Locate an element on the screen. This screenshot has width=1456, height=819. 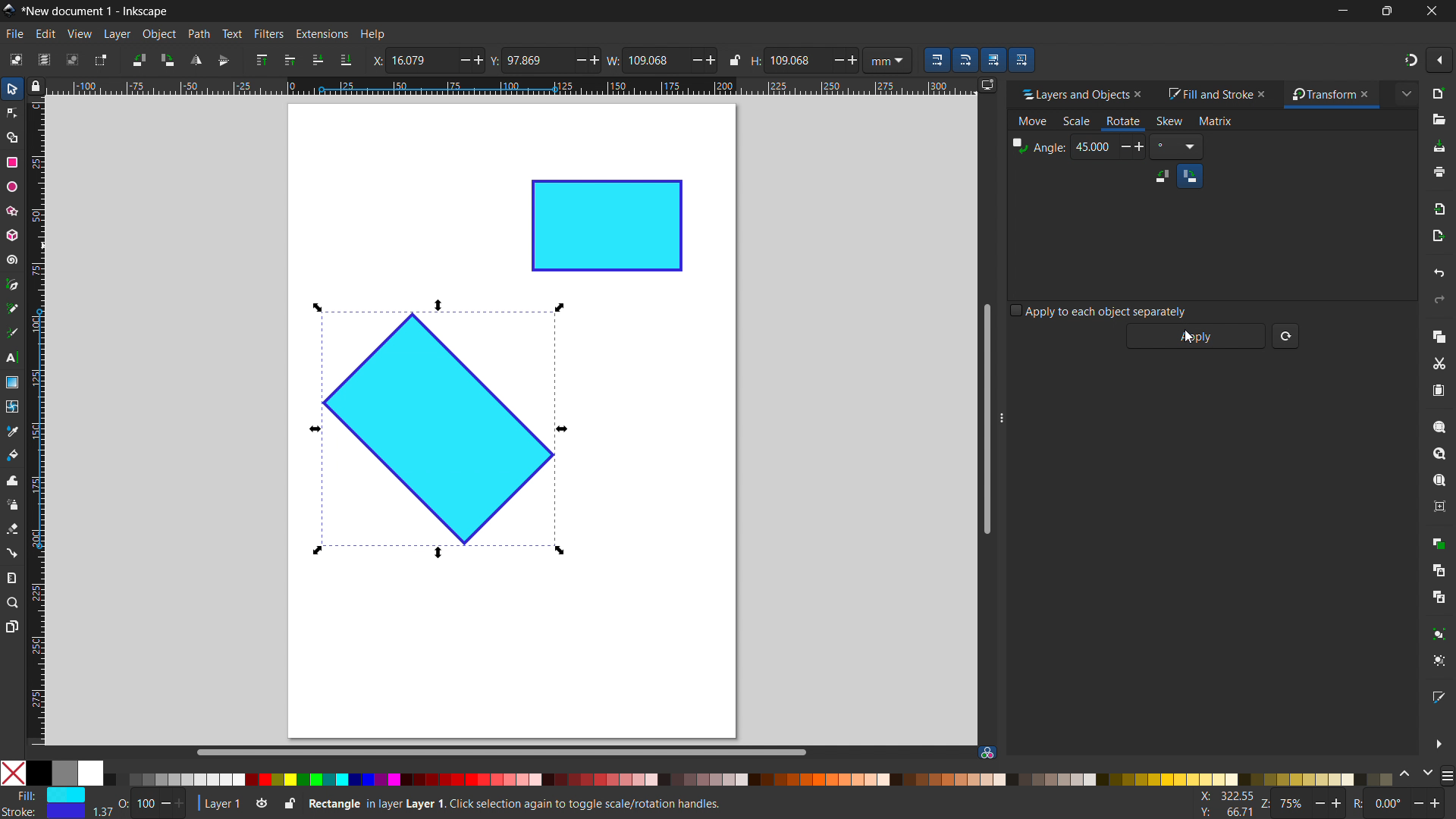
vertical ruler is located at coordinates (36, 424).